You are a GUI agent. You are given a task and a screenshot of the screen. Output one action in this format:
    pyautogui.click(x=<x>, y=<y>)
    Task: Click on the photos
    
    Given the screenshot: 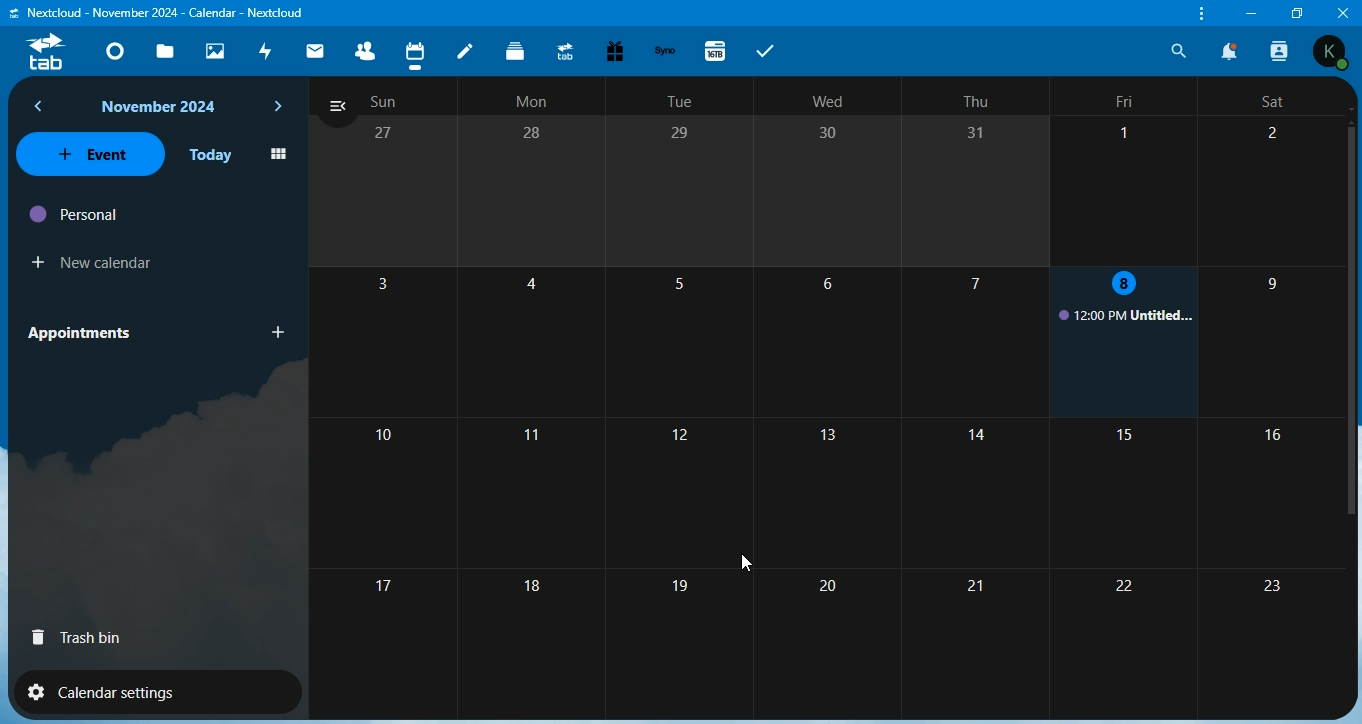 What is the action you would take?
    pyautogui.click(x=216, y=52)
    